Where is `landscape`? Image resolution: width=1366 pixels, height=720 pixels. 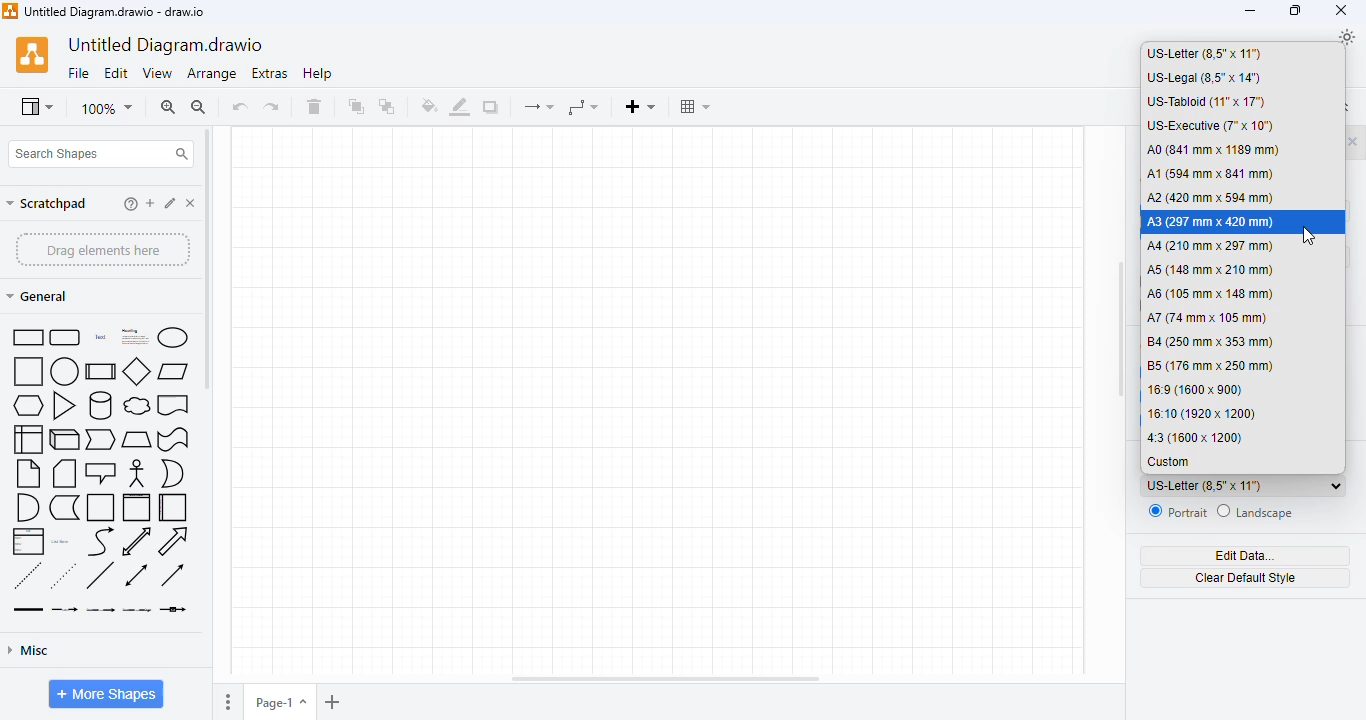
landscape is located at coordinates (1256, 513).